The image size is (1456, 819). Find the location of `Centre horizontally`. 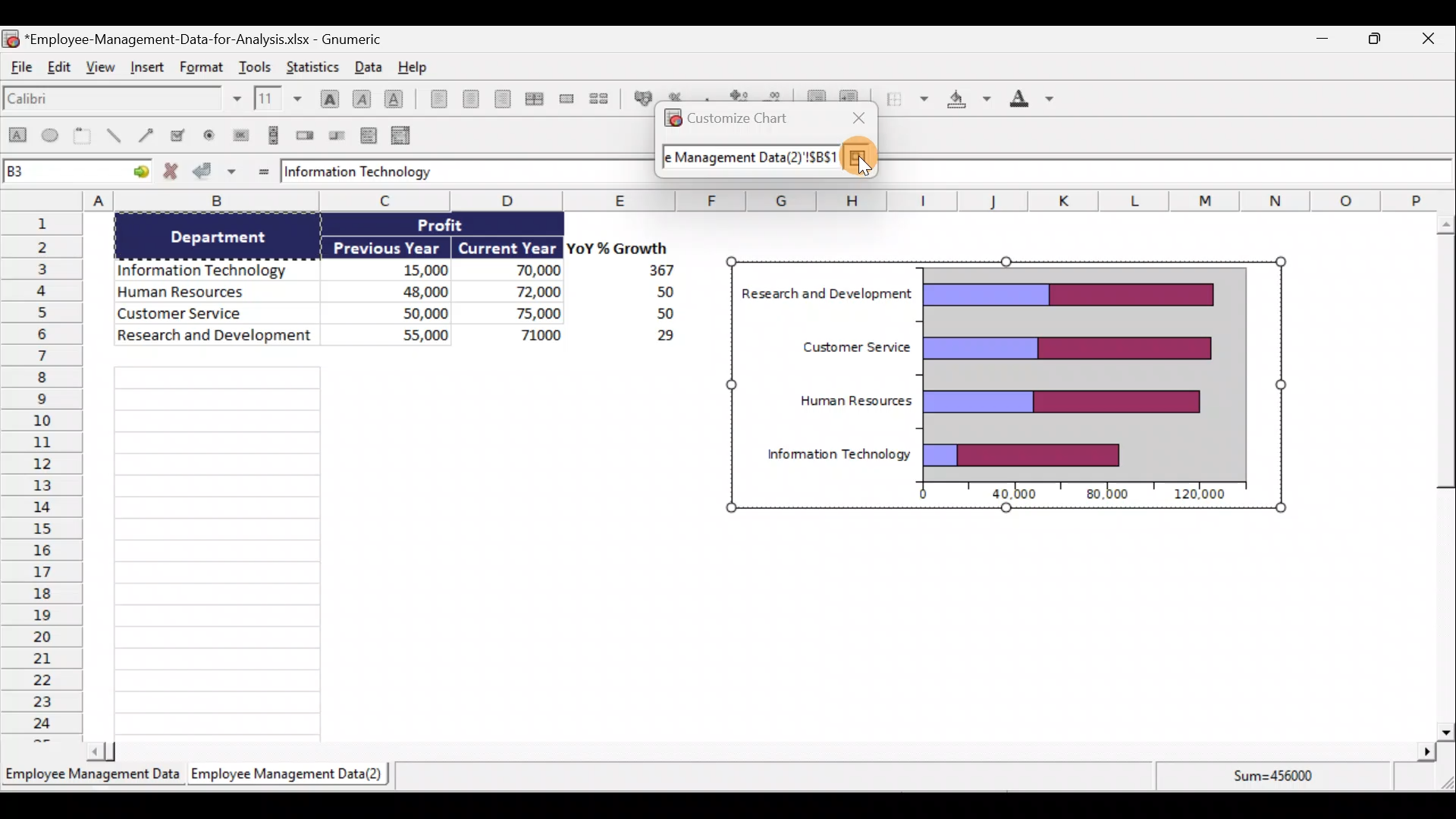

Centre horizontally is located at coordinates (467, 99).